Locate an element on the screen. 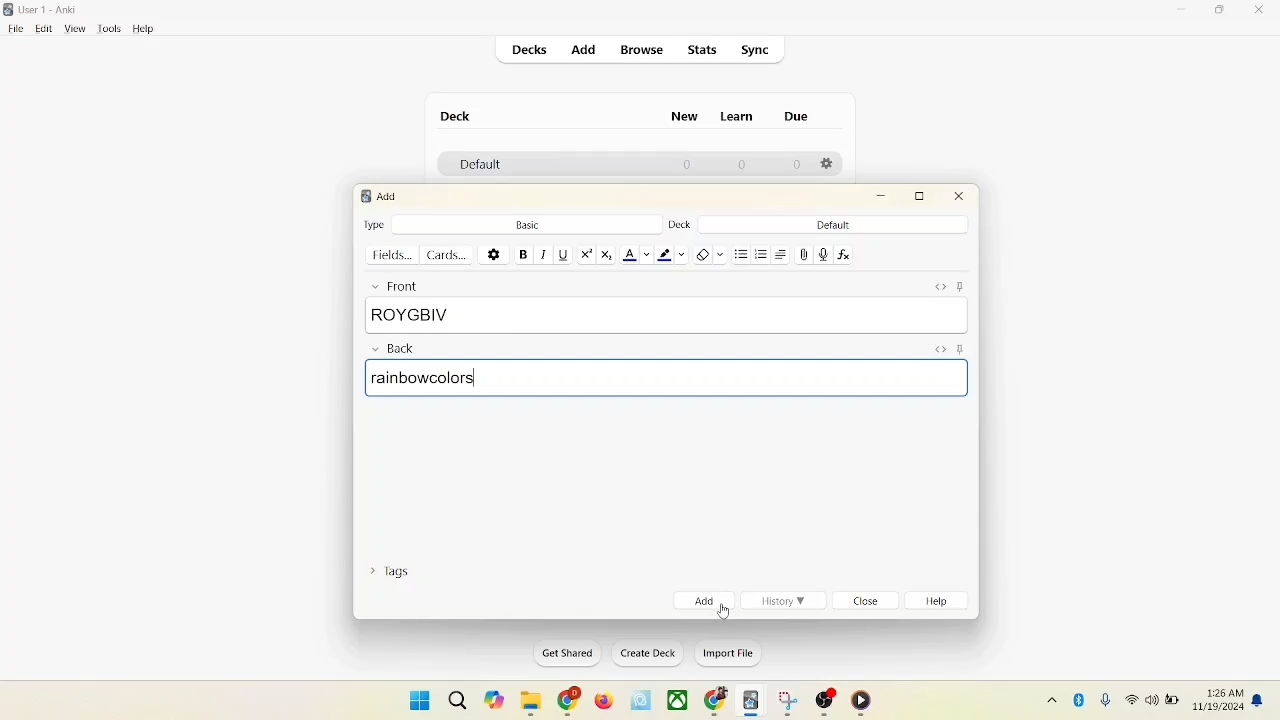  due is located at coordinates (796, 116).